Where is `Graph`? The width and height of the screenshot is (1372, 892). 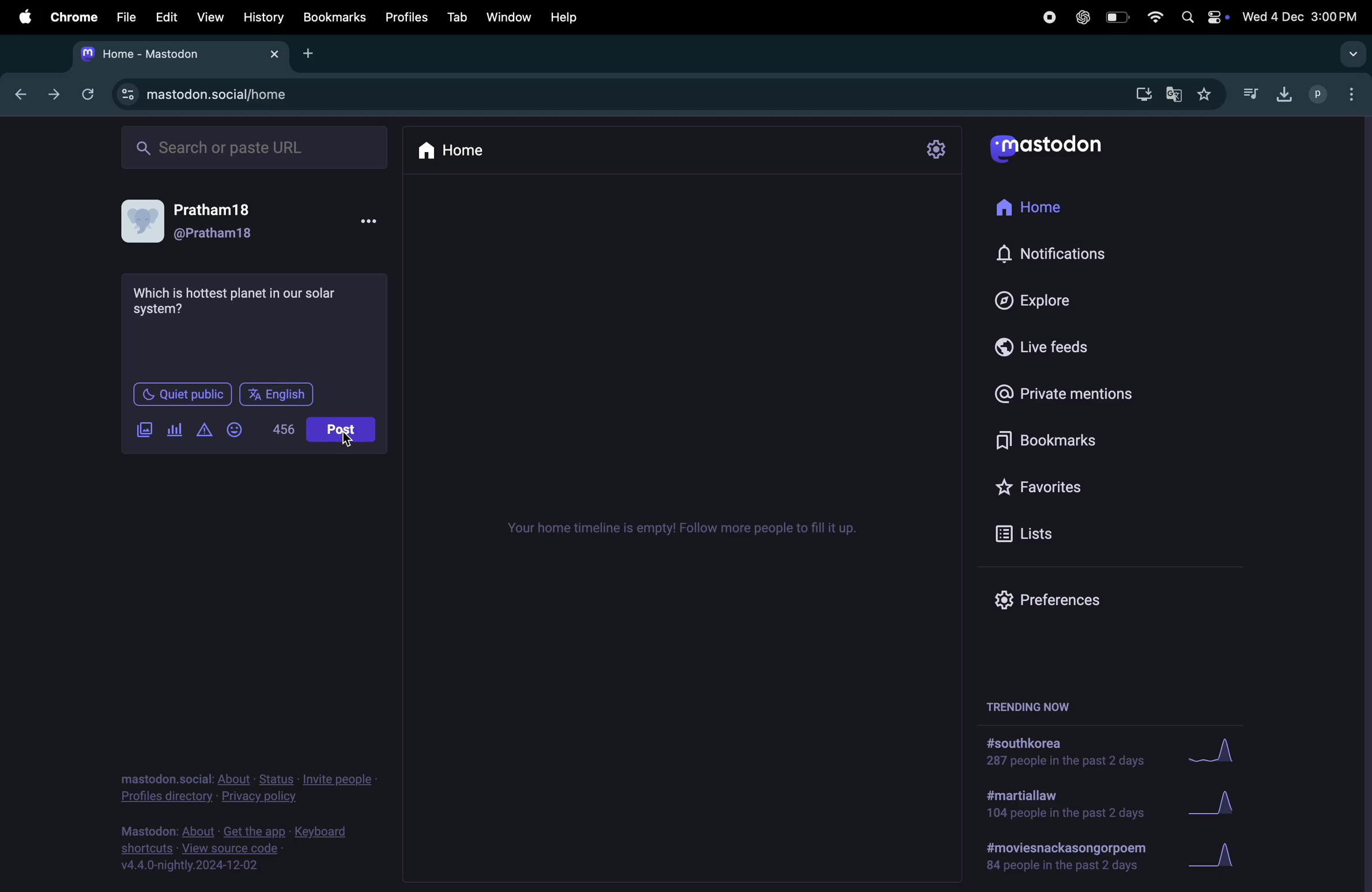
Graph is located at coordinates (1213, 856).